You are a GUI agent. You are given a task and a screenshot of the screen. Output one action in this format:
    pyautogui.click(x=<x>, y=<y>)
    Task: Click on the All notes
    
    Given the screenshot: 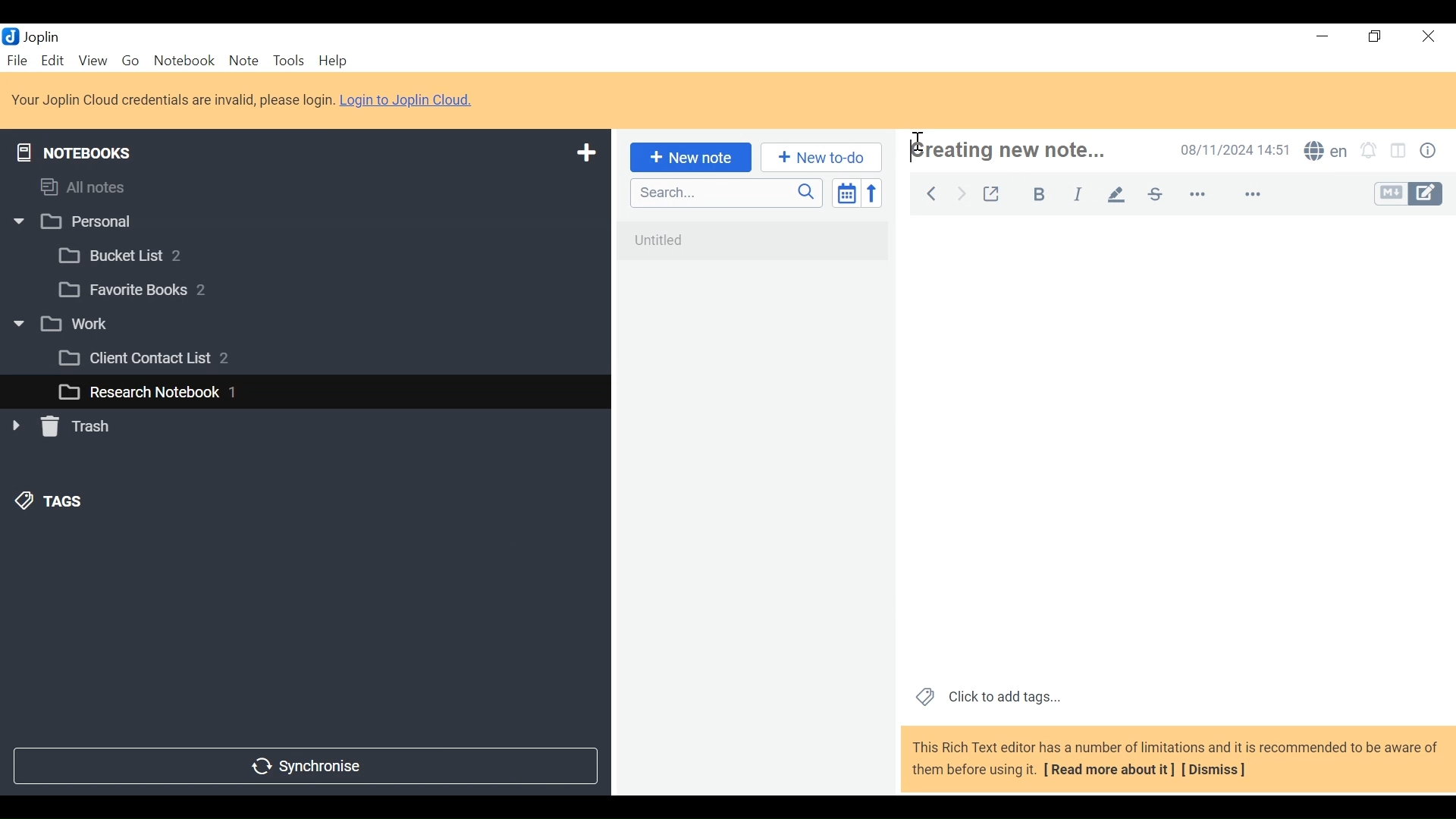 What is the action you would take?
    pyautogui.click(x=97, y=184)
    